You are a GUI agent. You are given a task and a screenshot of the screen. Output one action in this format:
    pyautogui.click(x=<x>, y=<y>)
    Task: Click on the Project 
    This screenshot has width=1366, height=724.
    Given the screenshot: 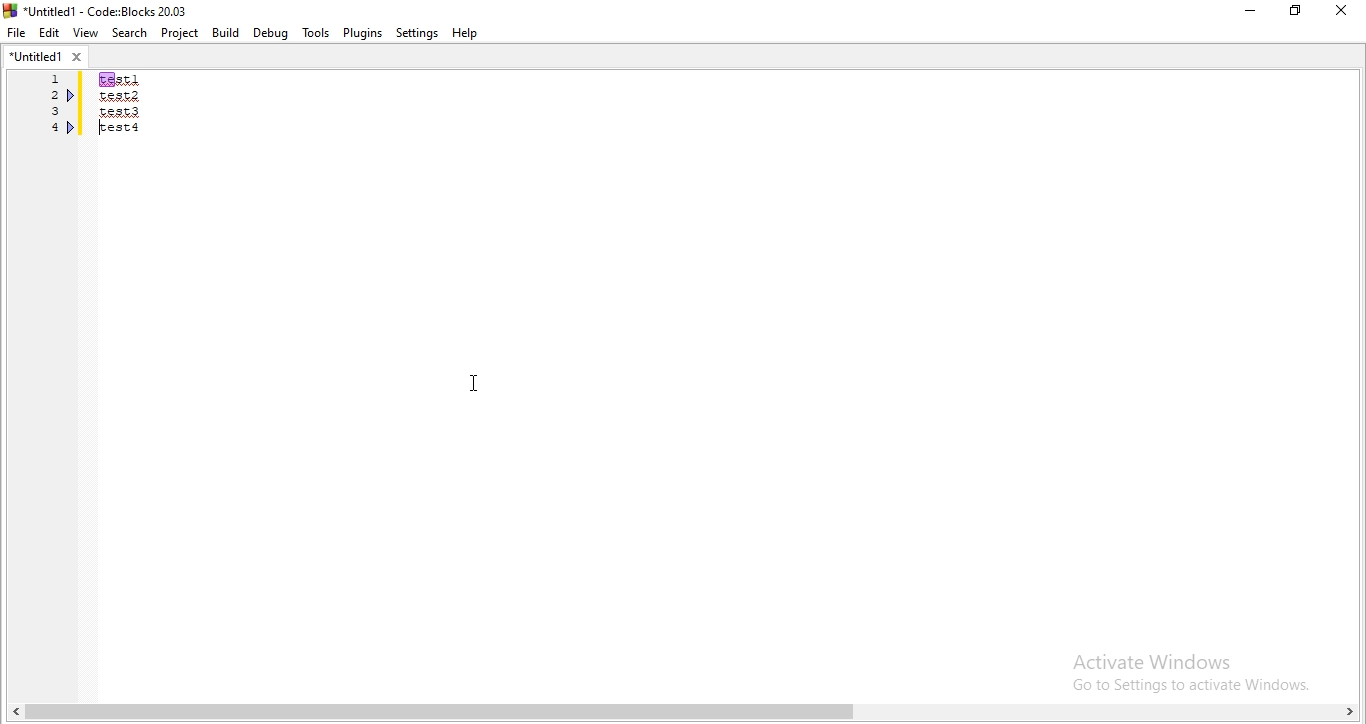 What is the action you would take?
    pyautogui.click(x=181, y=34)
    